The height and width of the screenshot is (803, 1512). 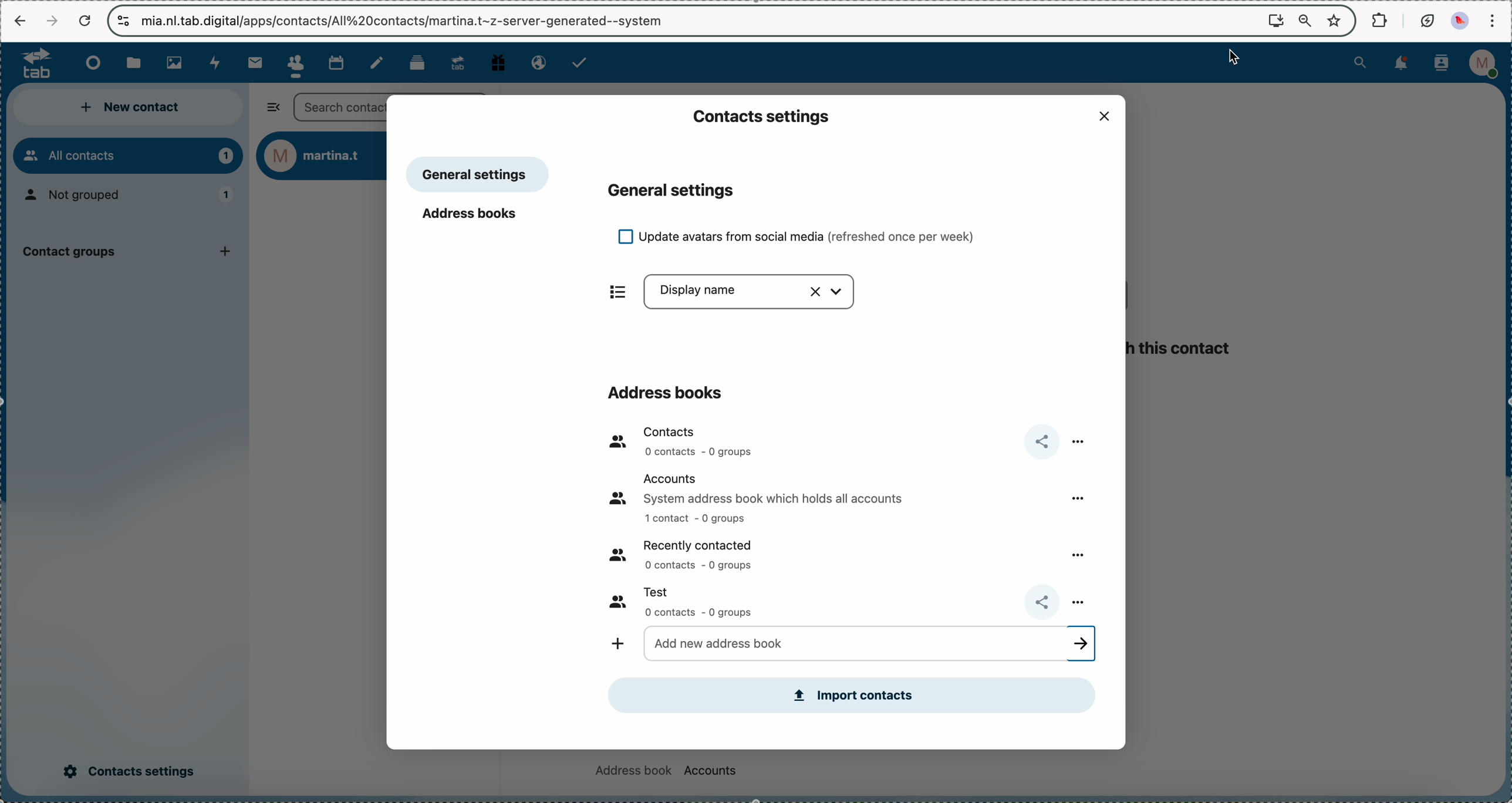 I want to click on add new address book, so click(x=845, y=643).